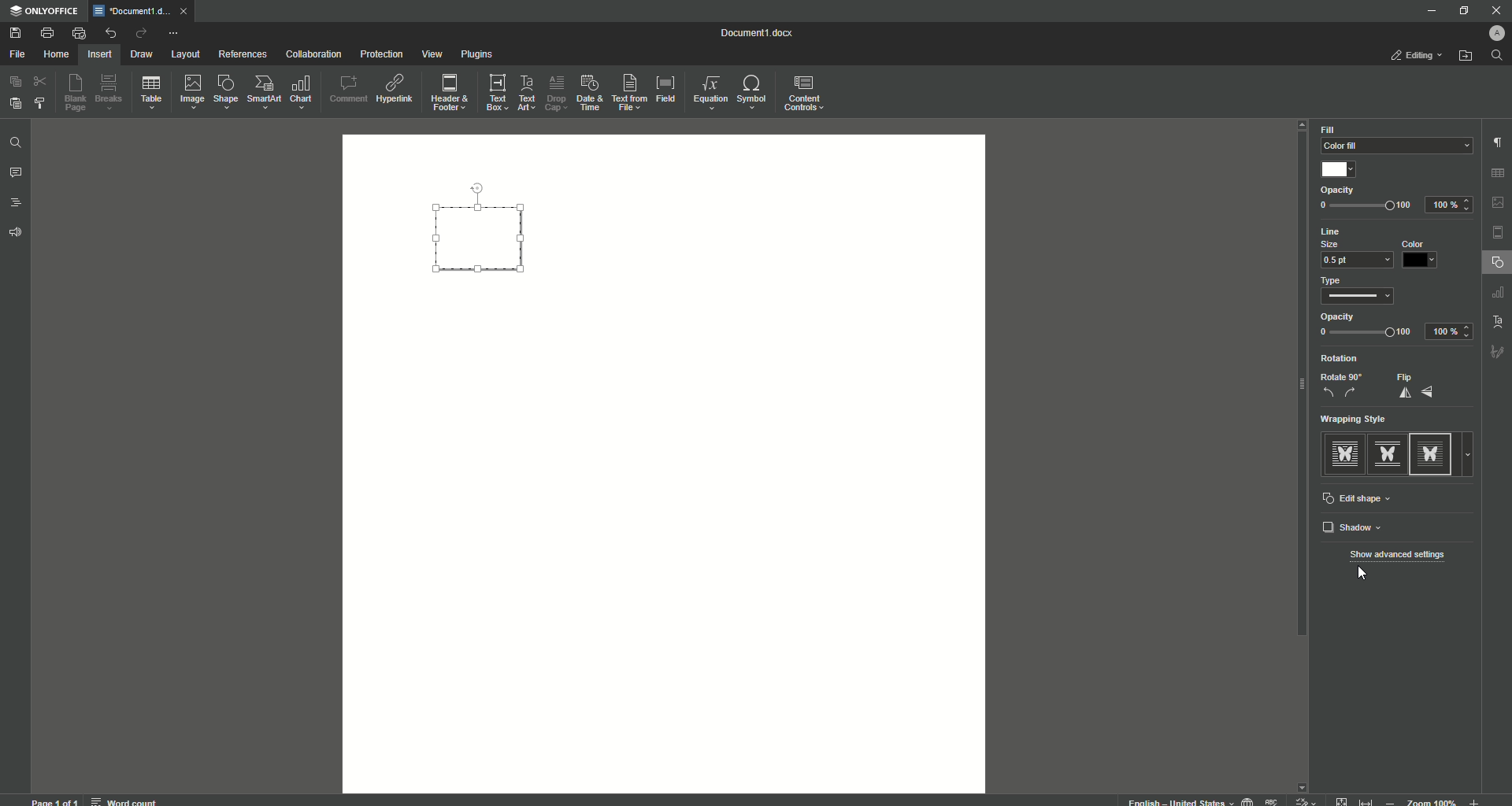  I want to click on adjust 0 to 100, so click(1366, 207).